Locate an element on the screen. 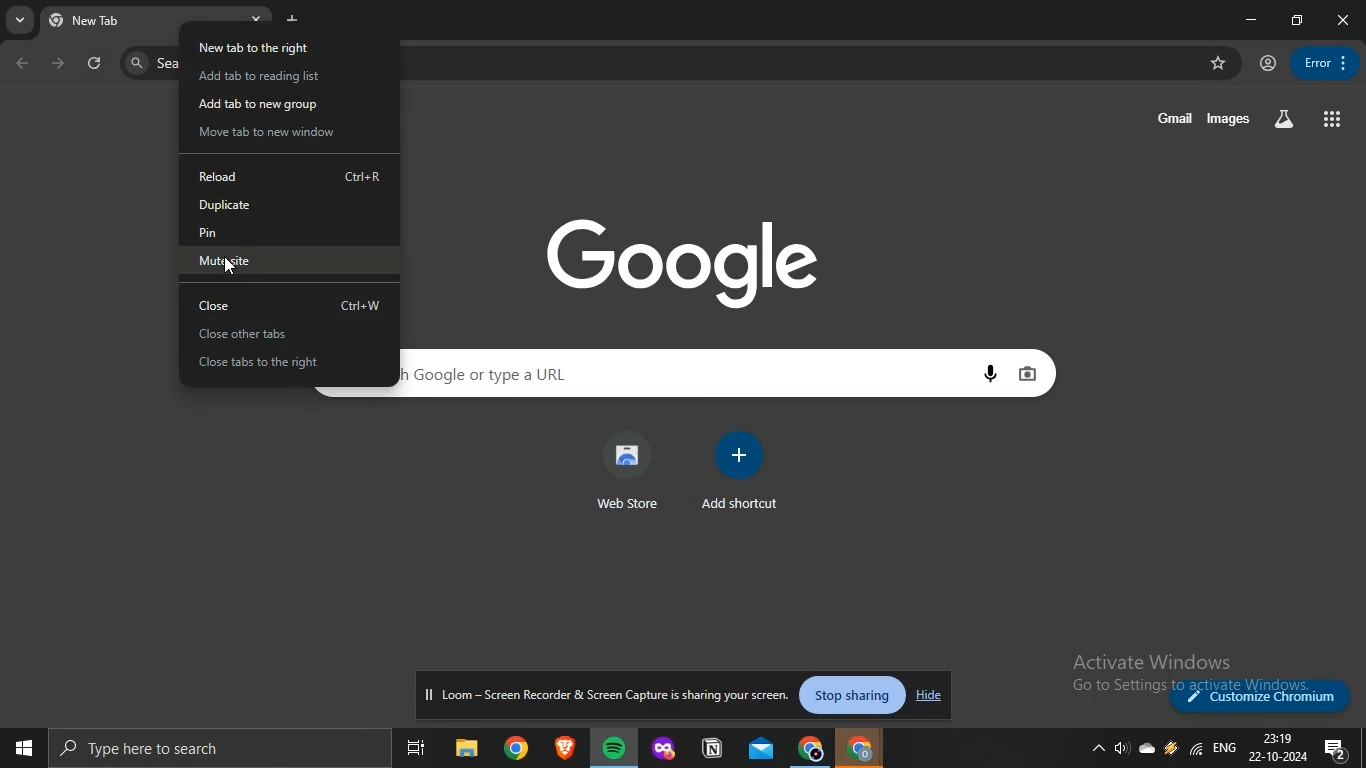 This screenshot has width=1366, height=768. winamp is located at coordinates (1170, 748).